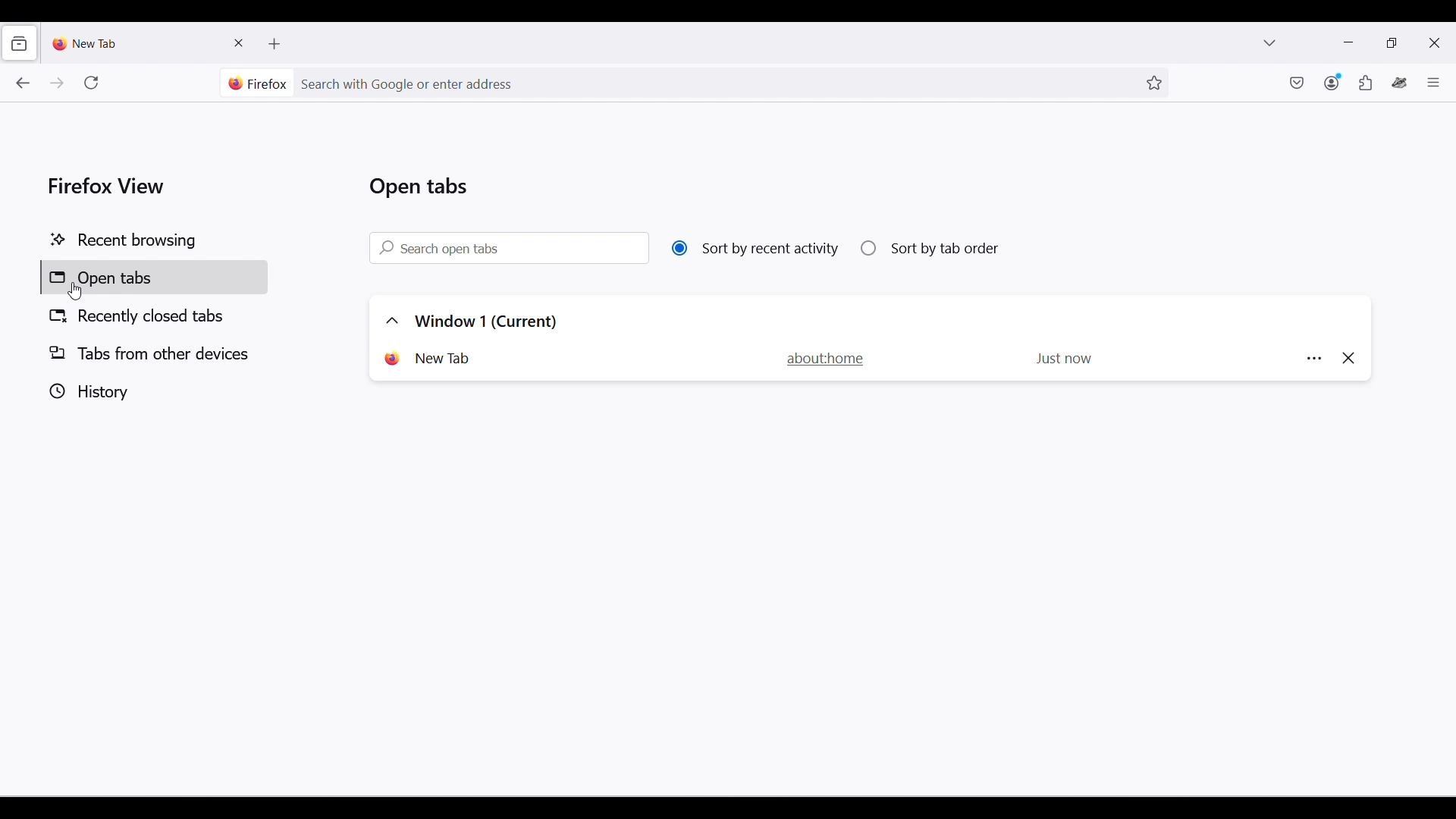 This screenshot has height=819, width=1456. I want to click on Account, so click(1333, 82).